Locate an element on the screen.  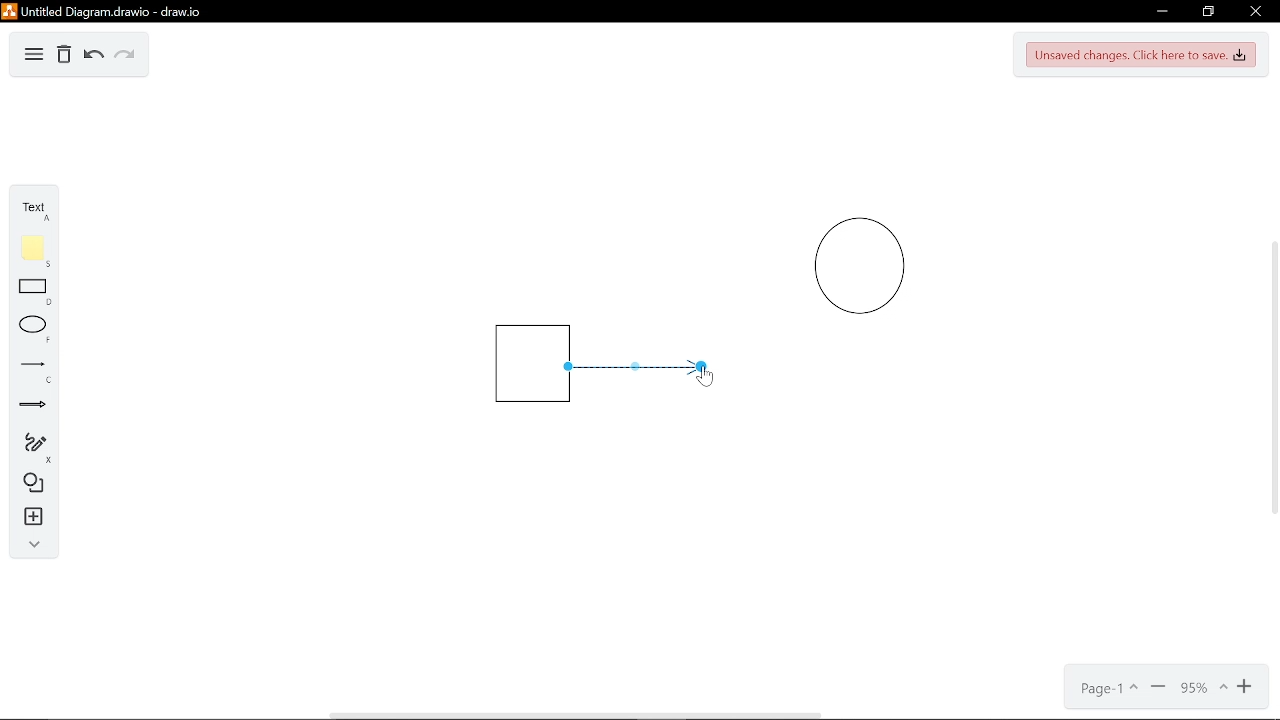
Zoom out is located at coordinates (1158, 686).